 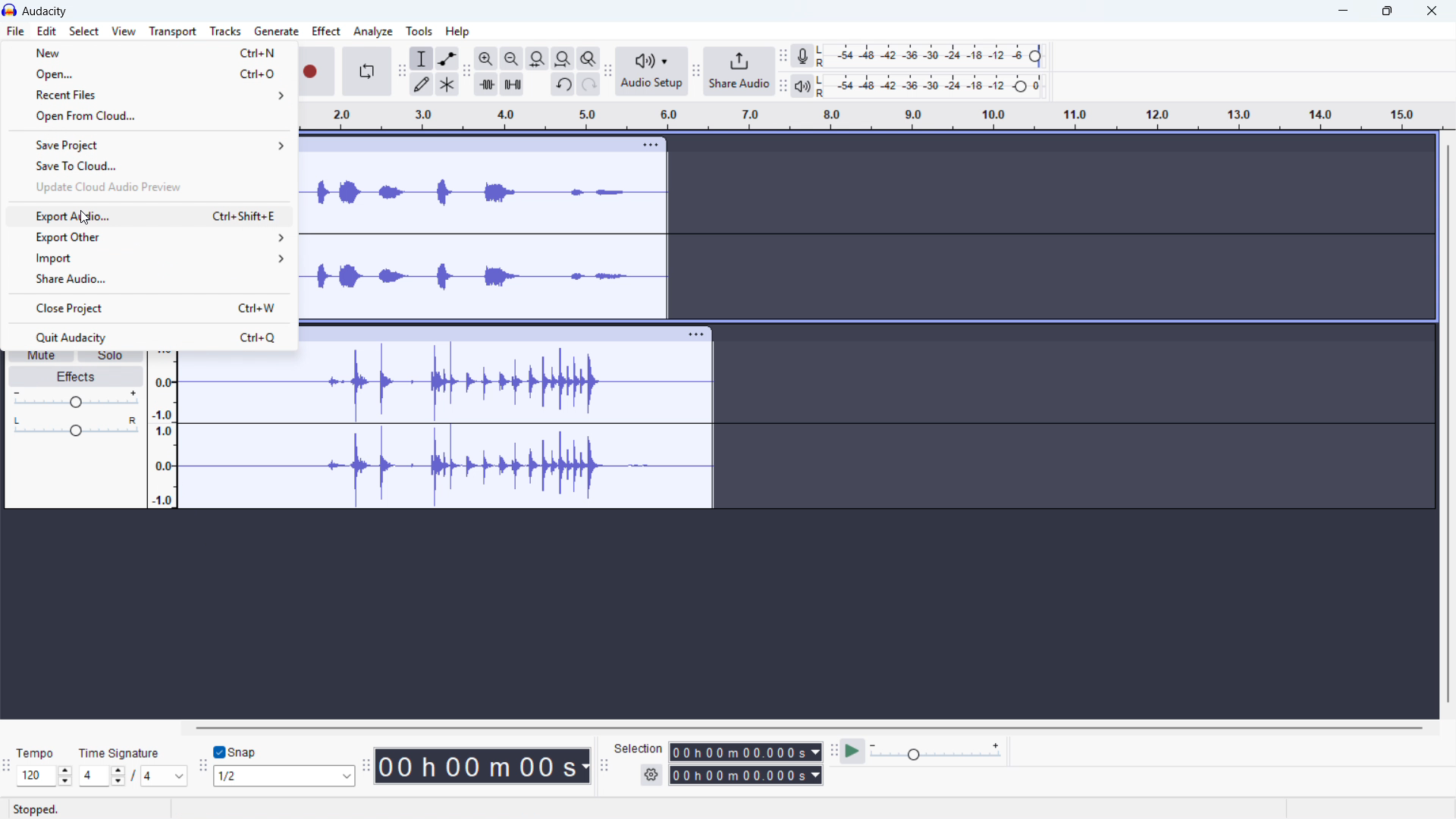 I want to click on audio 2 waveform, so click(x=445, y=431).